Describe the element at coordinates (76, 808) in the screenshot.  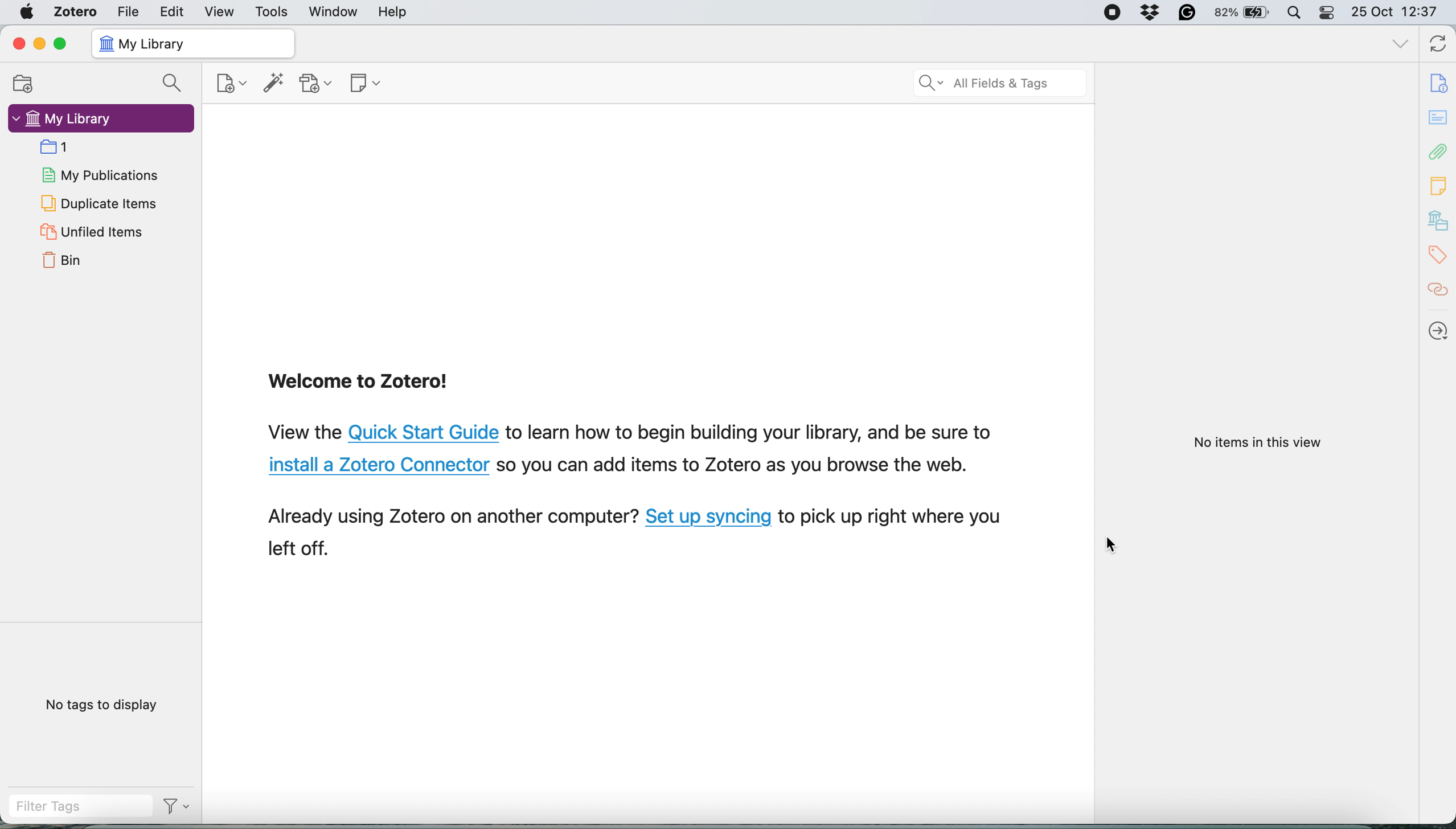
I see `filter tags` at that location.